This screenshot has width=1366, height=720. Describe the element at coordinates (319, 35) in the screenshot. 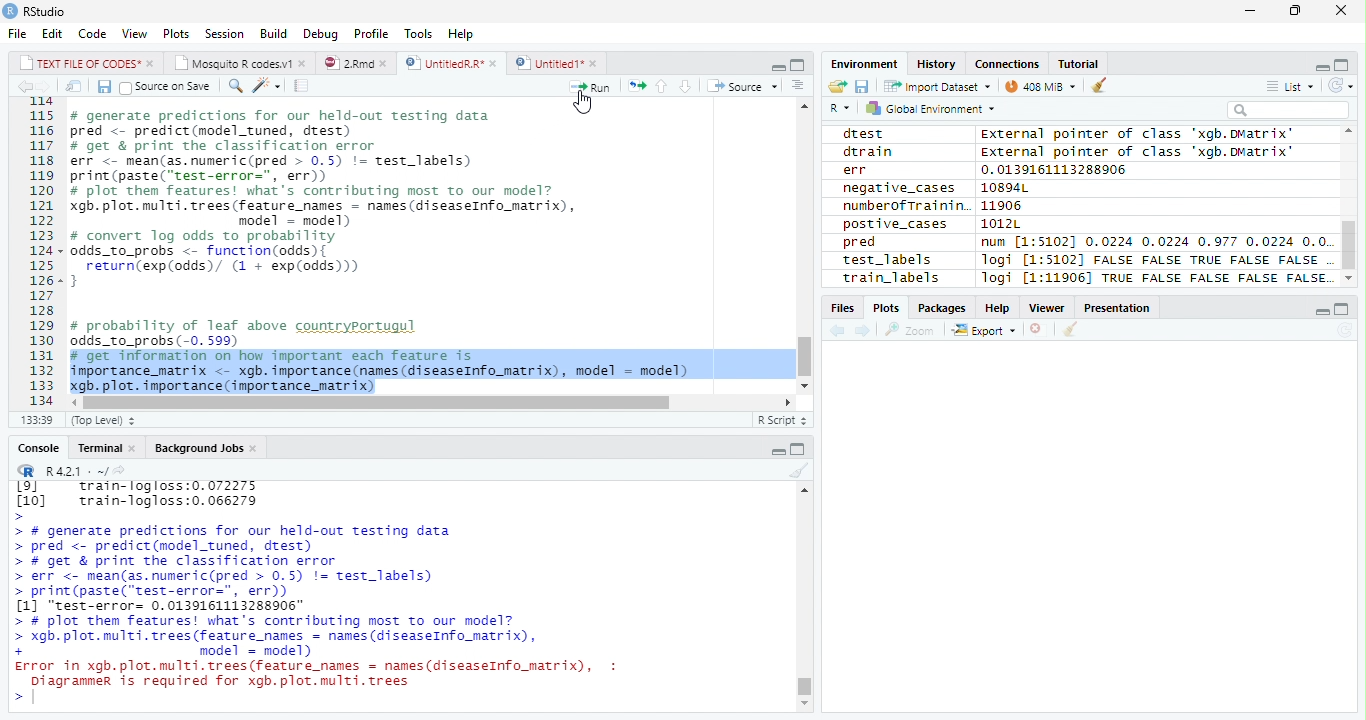

I see `Debug` at that location.